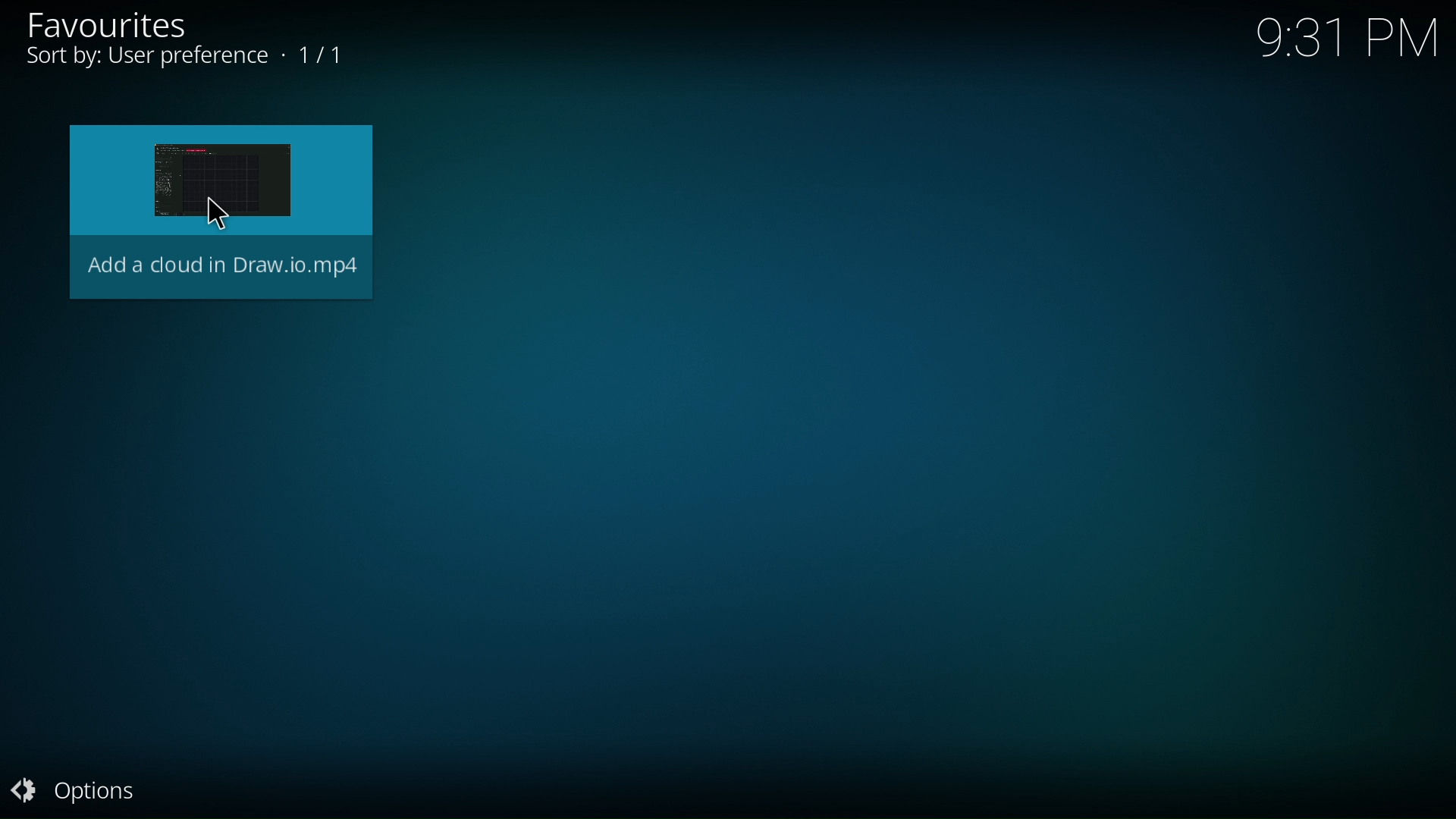 This screenshot has height=819, width=1456. I want to click on Add a cloud in Draw.io.mp4, so click(227, 210).